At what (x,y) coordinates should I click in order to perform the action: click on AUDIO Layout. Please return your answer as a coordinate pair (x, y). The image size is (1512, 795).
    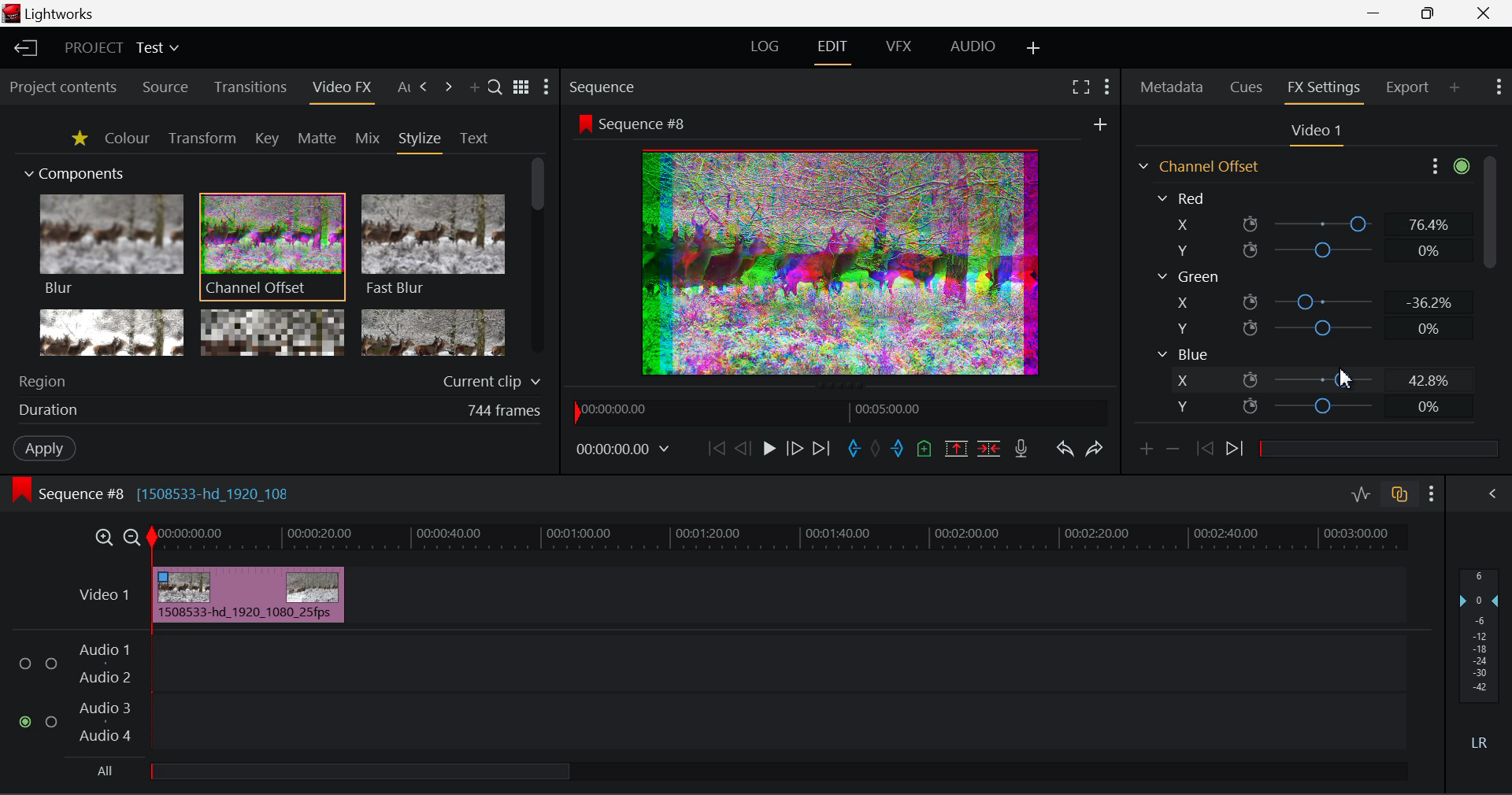
    Looking at the image, I should click on (975, 50).